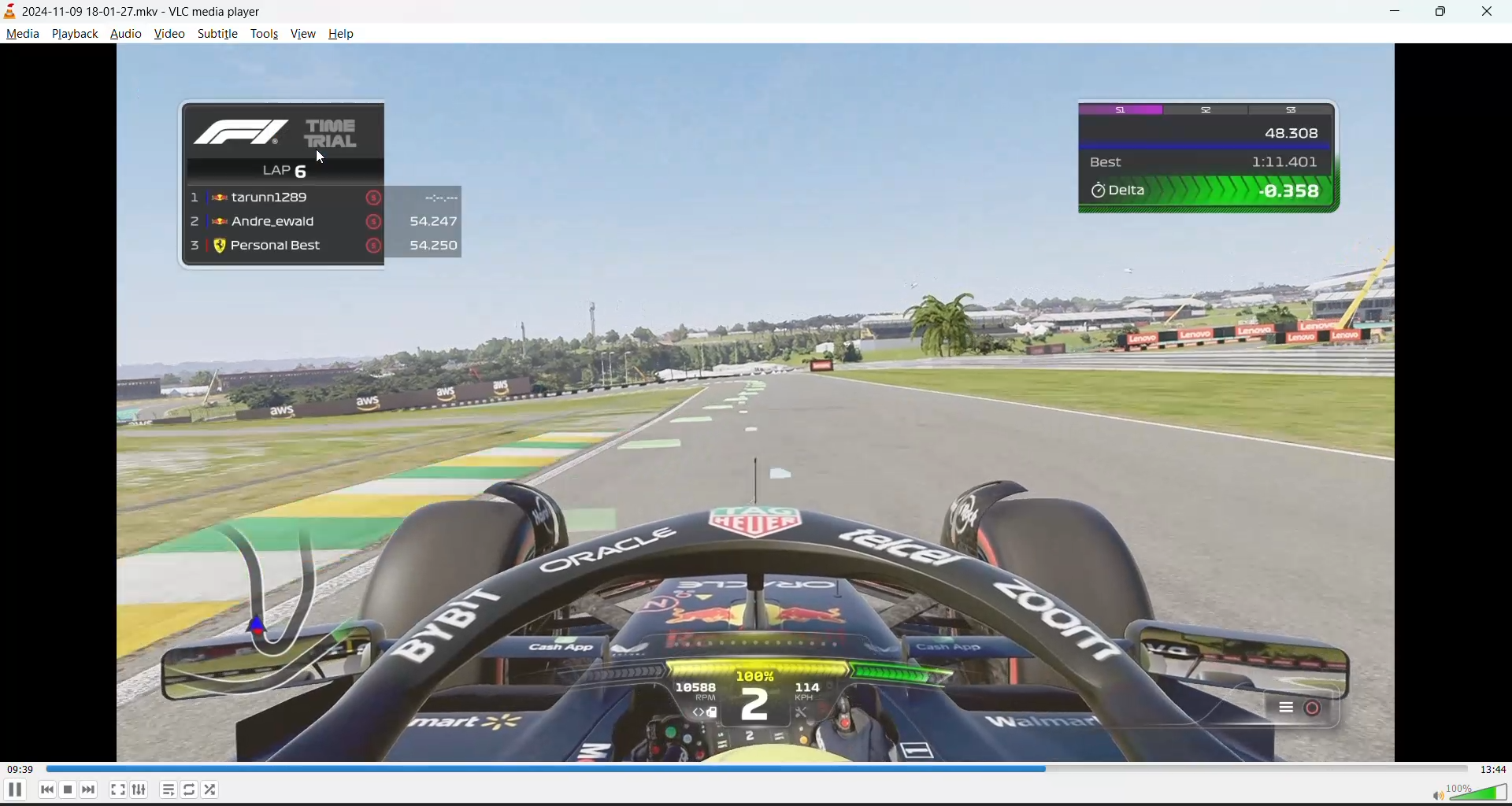 Image resolution: width=1512 pixels, height=806 pixels. What do you see at coordinates (1495, 769) in the screenshot?
I see `total track time` at bounding box center [1495, 769].